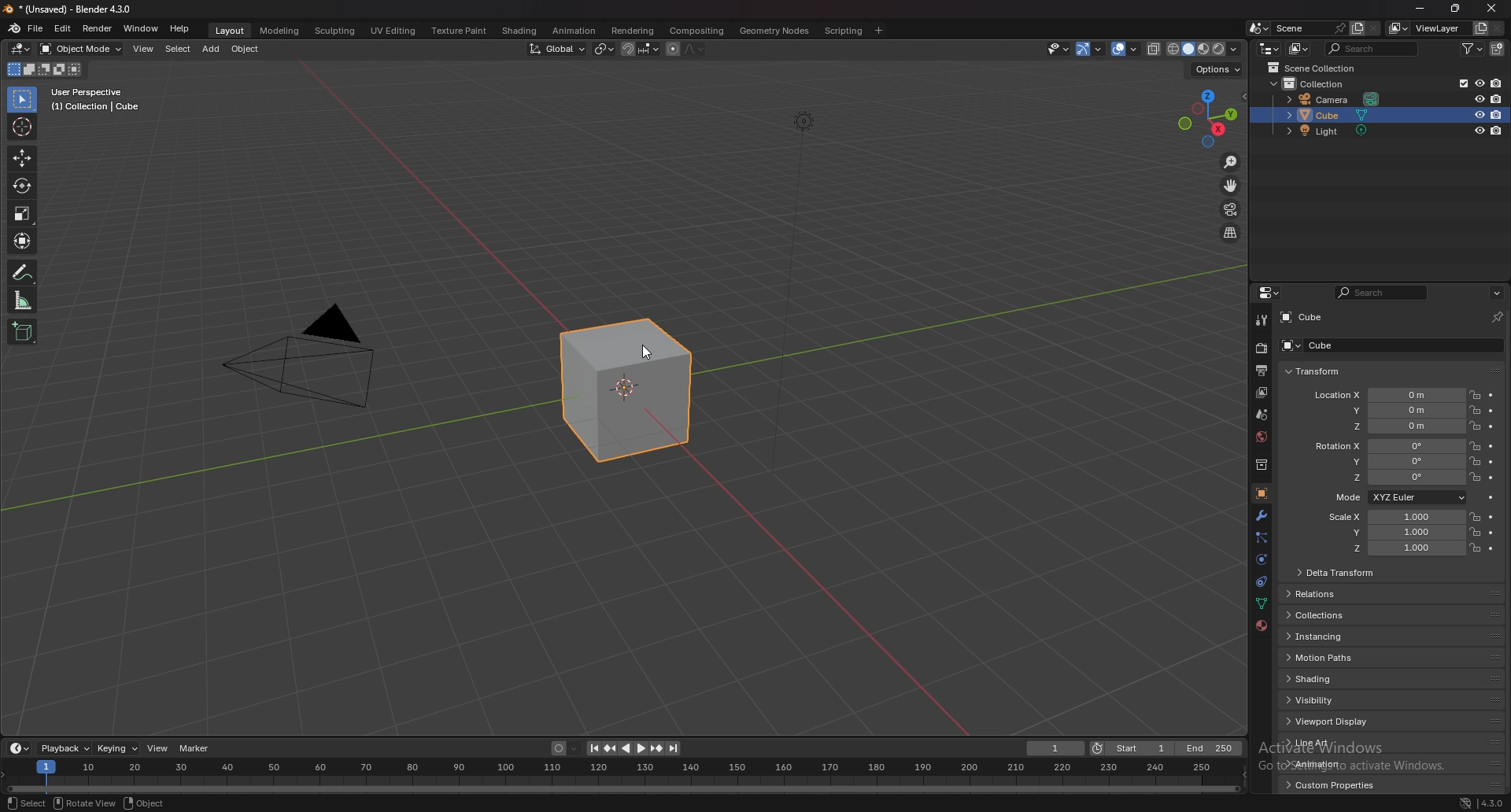  Describe the element at coordinates (1270, 48) in the screenshot. I see `editor type` at that location.